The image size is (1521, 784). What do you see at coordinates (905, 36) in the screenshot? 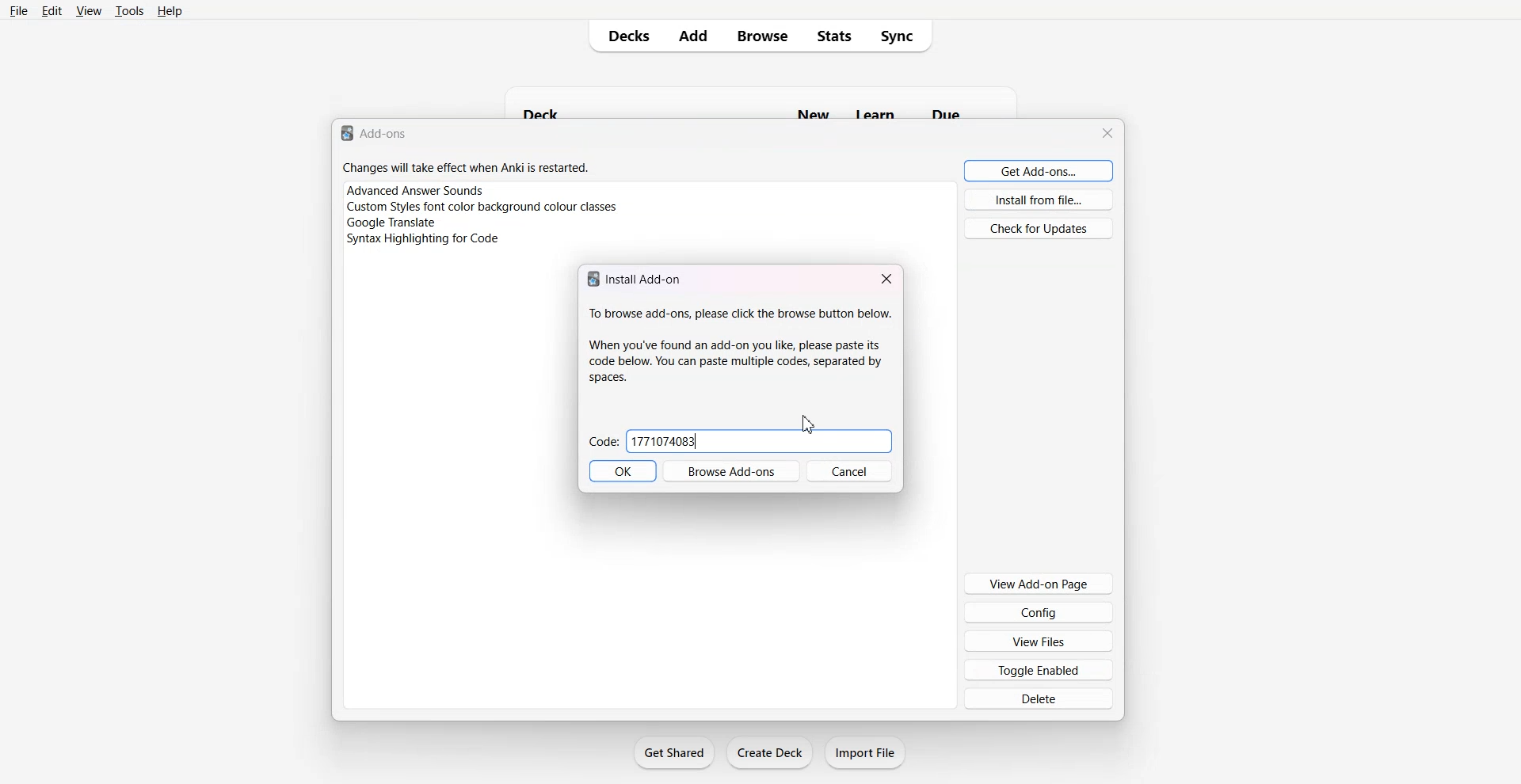
I see `Sync` at bounding box center [905, 36].